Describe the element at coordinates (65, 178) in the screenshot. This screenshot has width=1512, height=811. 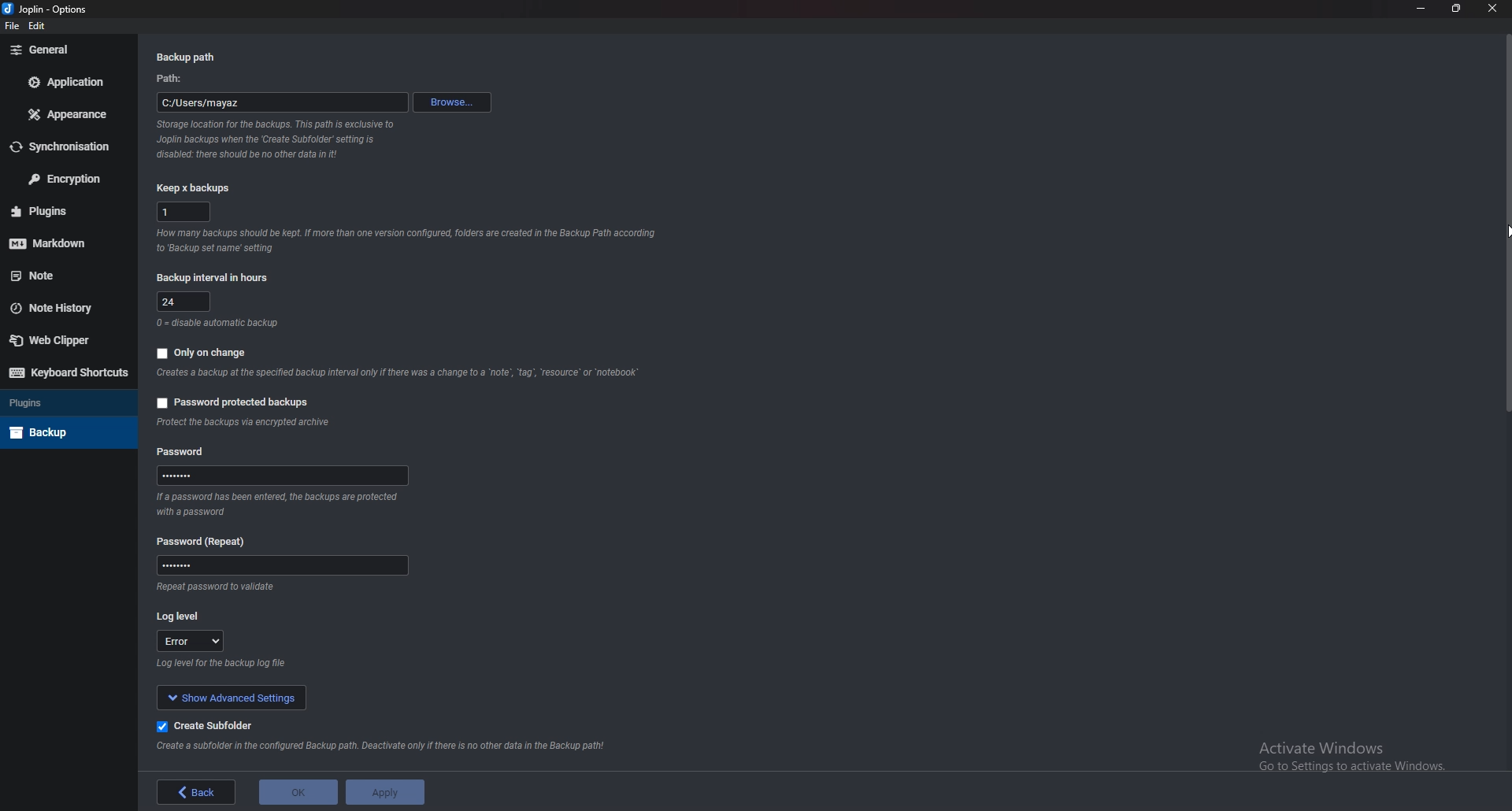
I see `Encryption` at that location.